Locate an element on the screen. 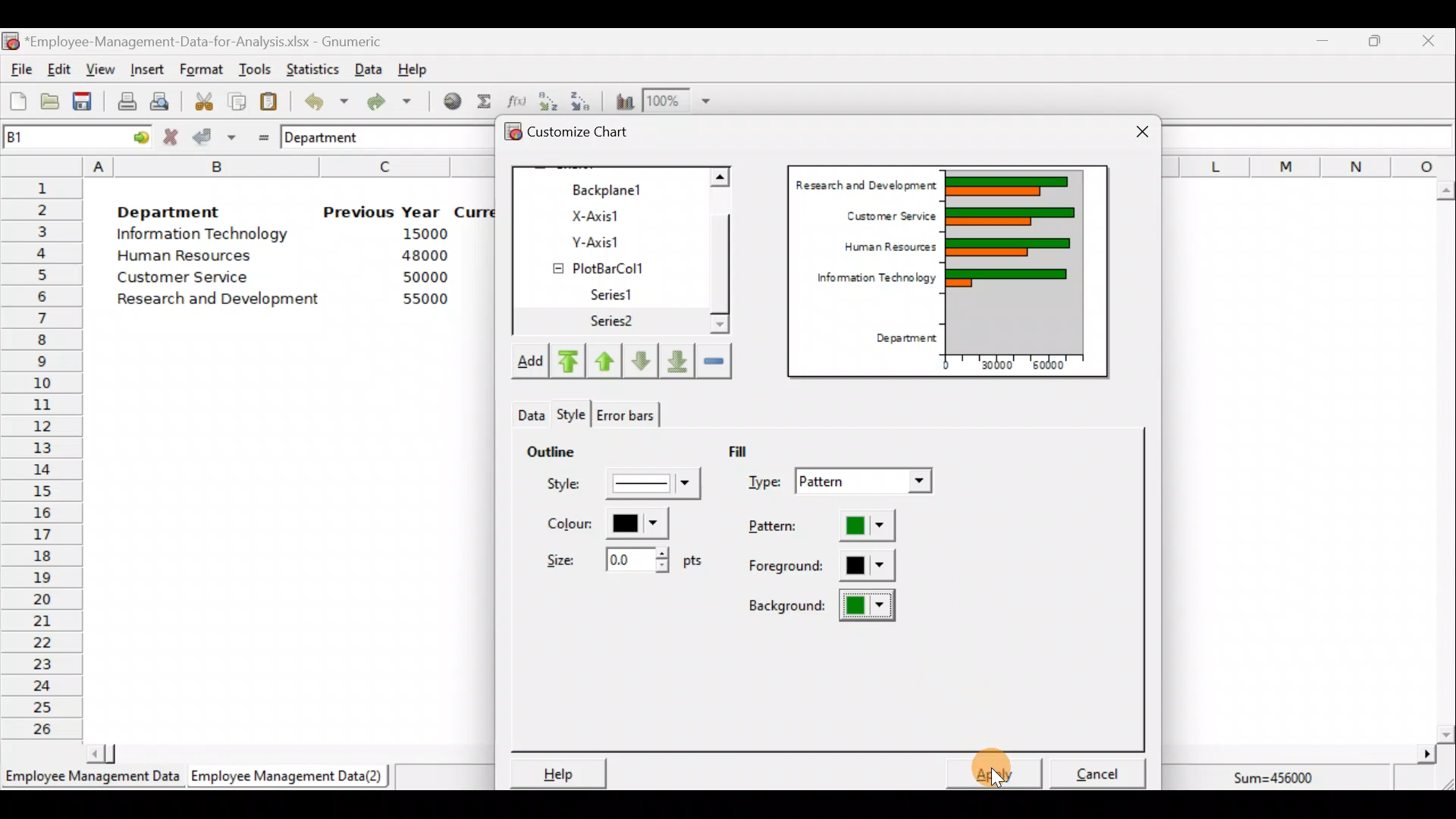  Cursor on apply is located at coordinates (1020, 763).